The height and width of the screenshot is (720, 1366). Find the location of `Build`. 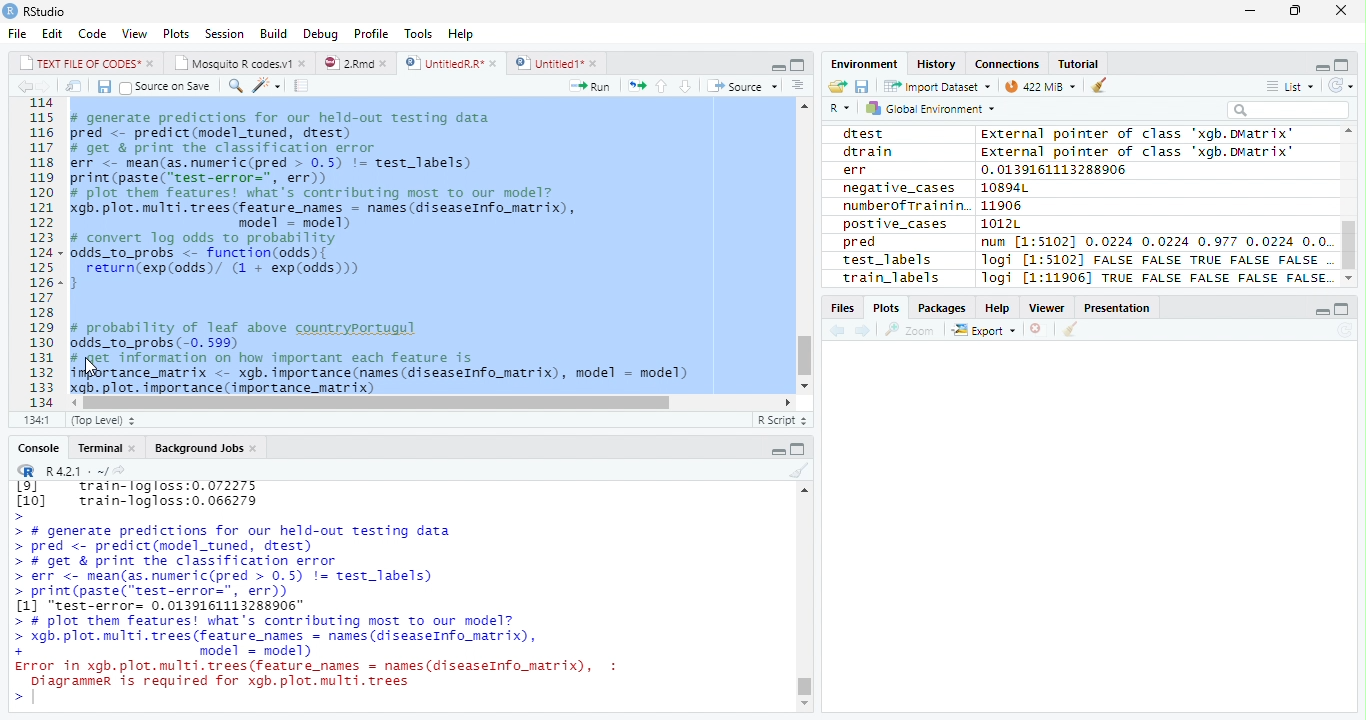

Build is located at coordinates (274, 34).